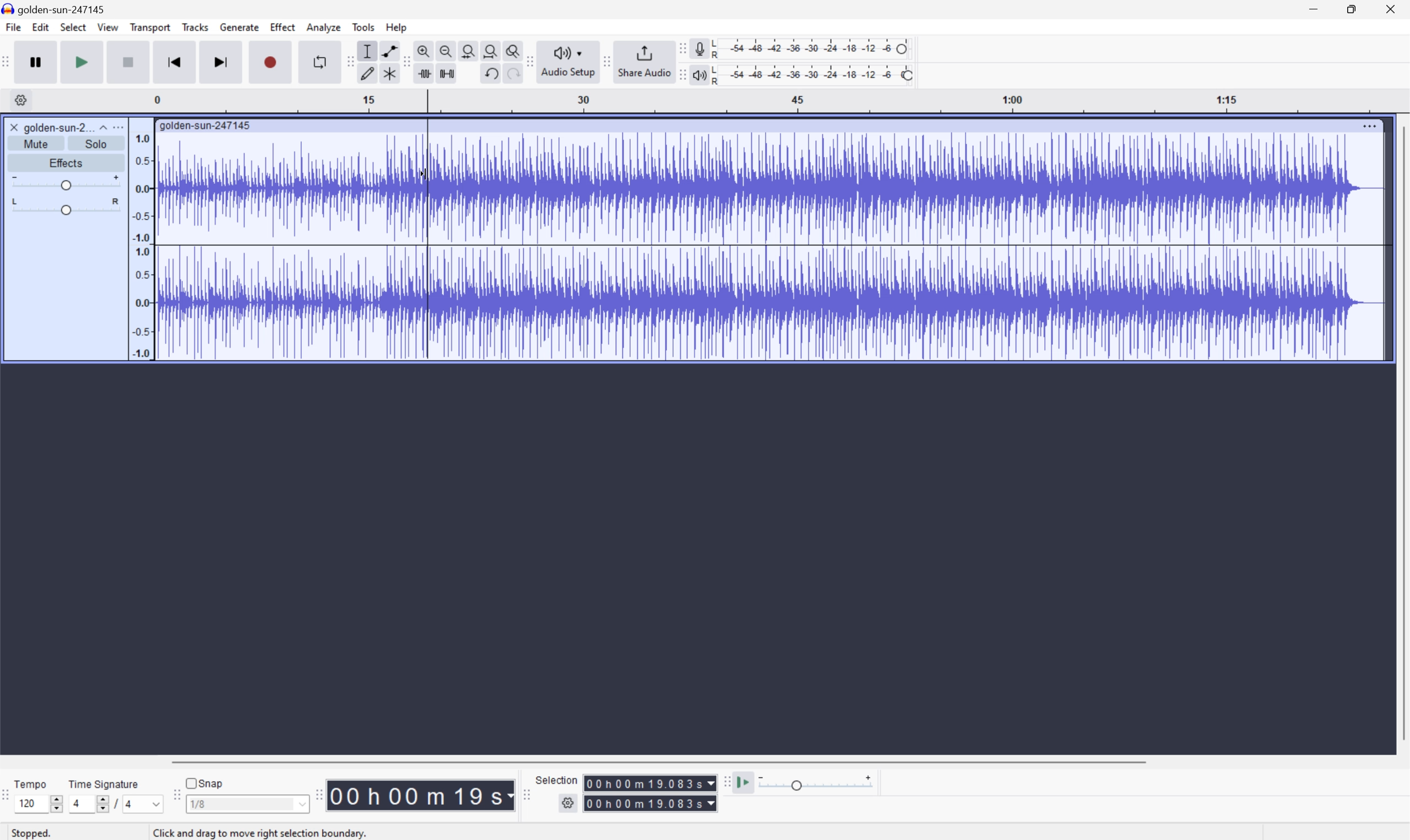  Describe the element at coordinates (514, 49) in the screenshot. I see `Zoom toggle` at that location.